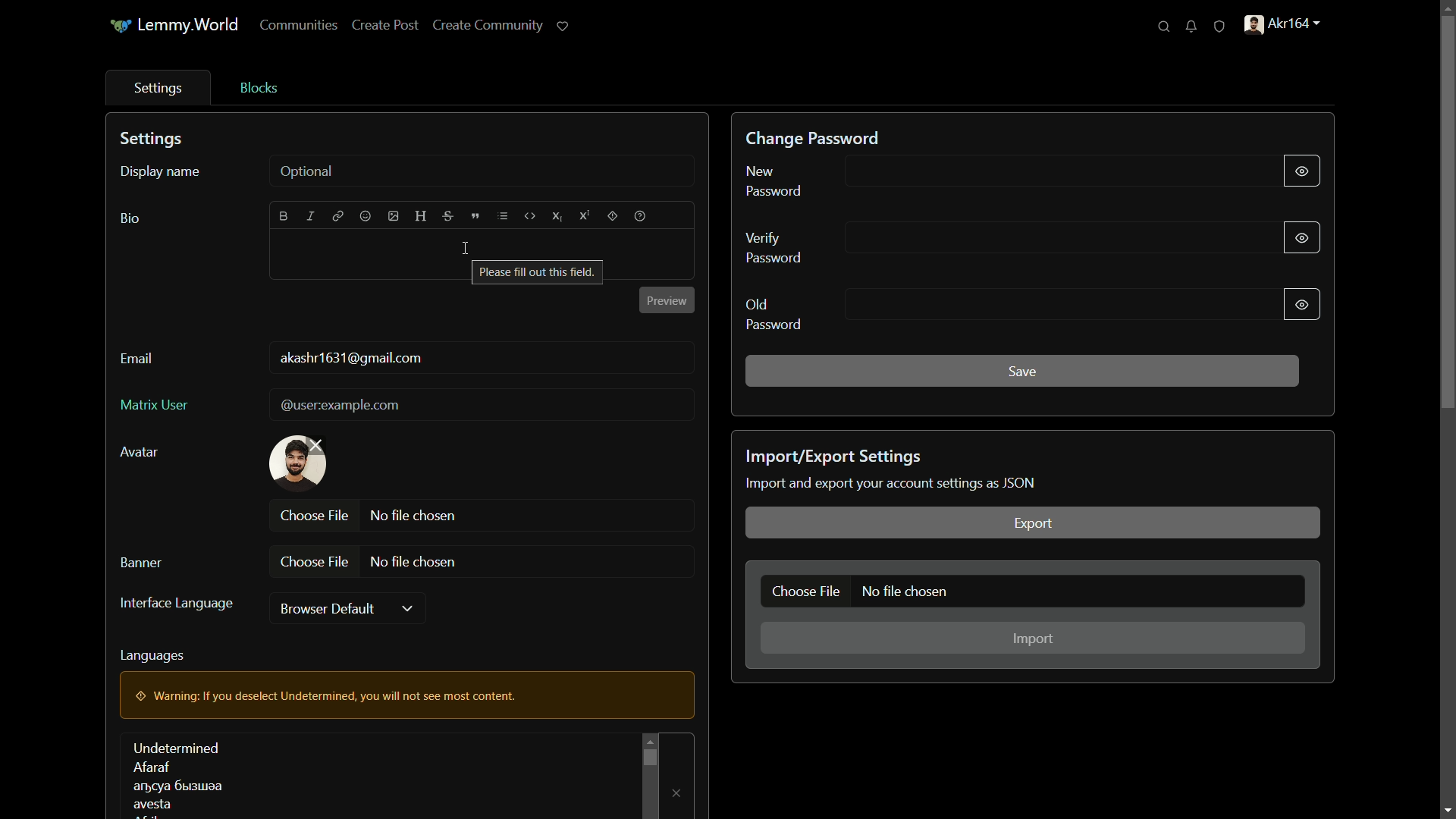 This screenshot has height=819, width=1456. Describe the element at coordinates (384, 24) in the screenshot. I see `create post` at that location.